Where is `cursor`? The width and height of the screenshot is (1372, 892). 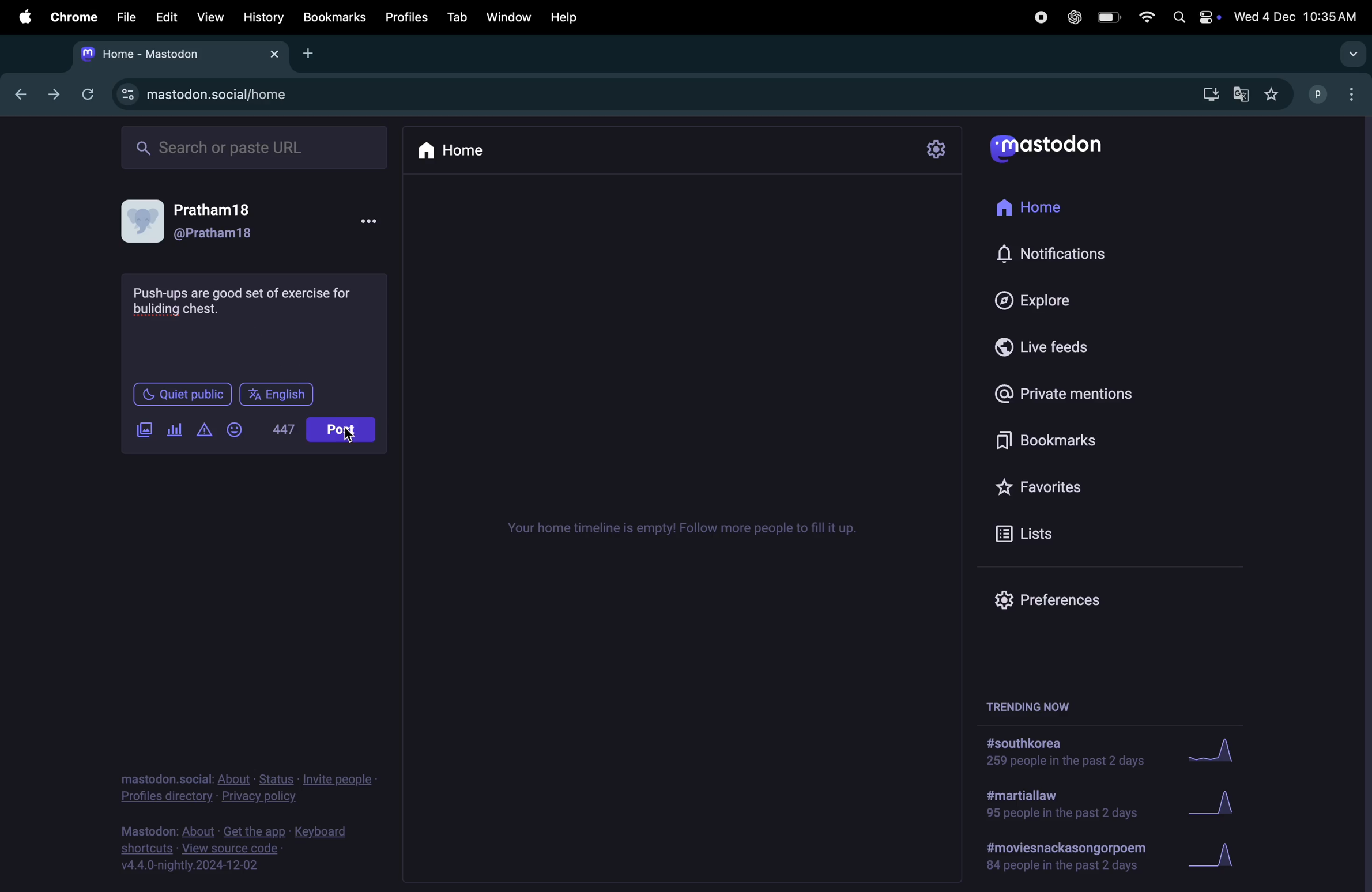 cursor is located at coordinates (350, 435).